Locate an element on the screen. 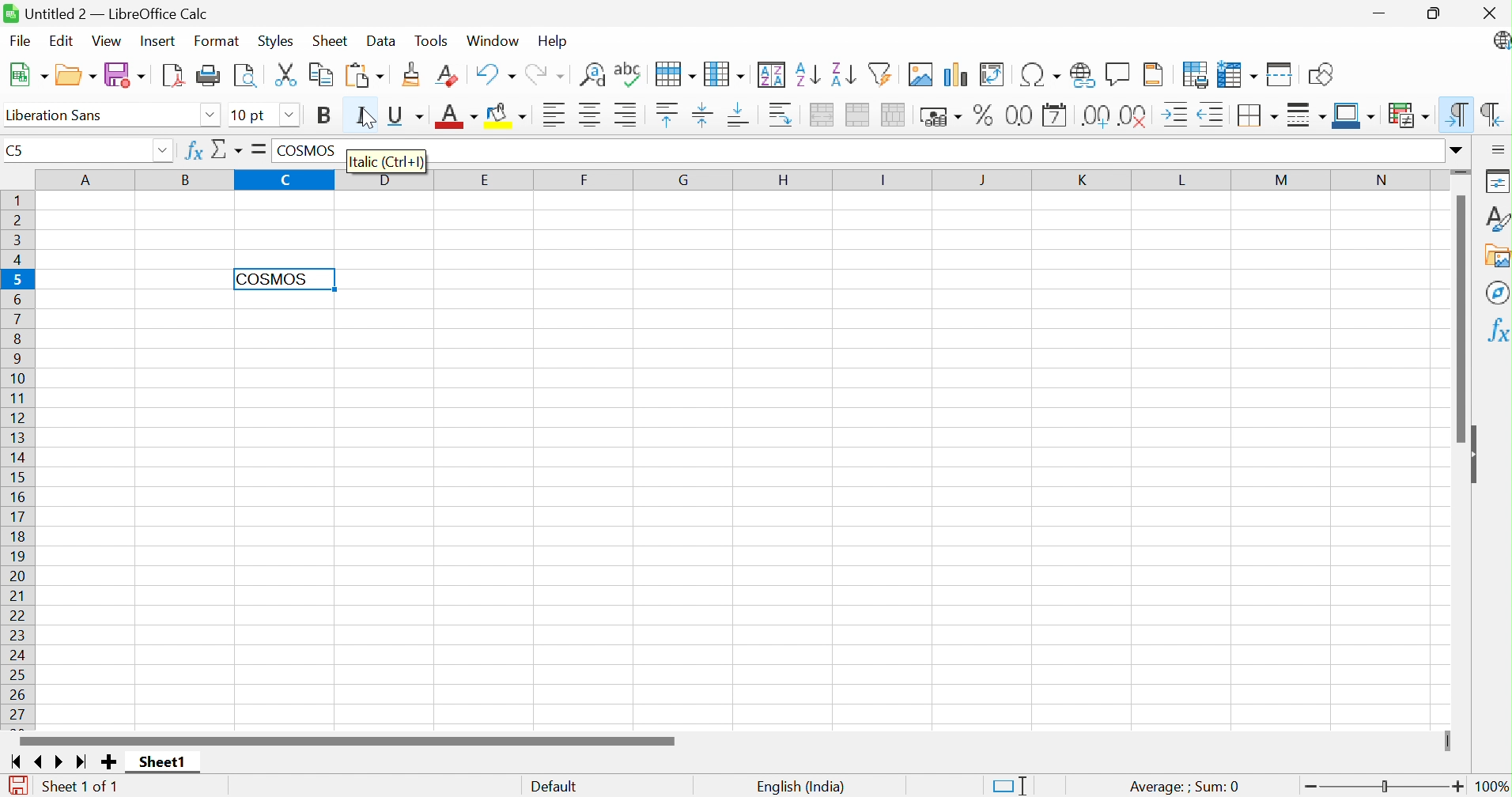 Image resolution: width=1512 pixels, height=797 pixels. Align vertically is located at coordinates (701, 114).